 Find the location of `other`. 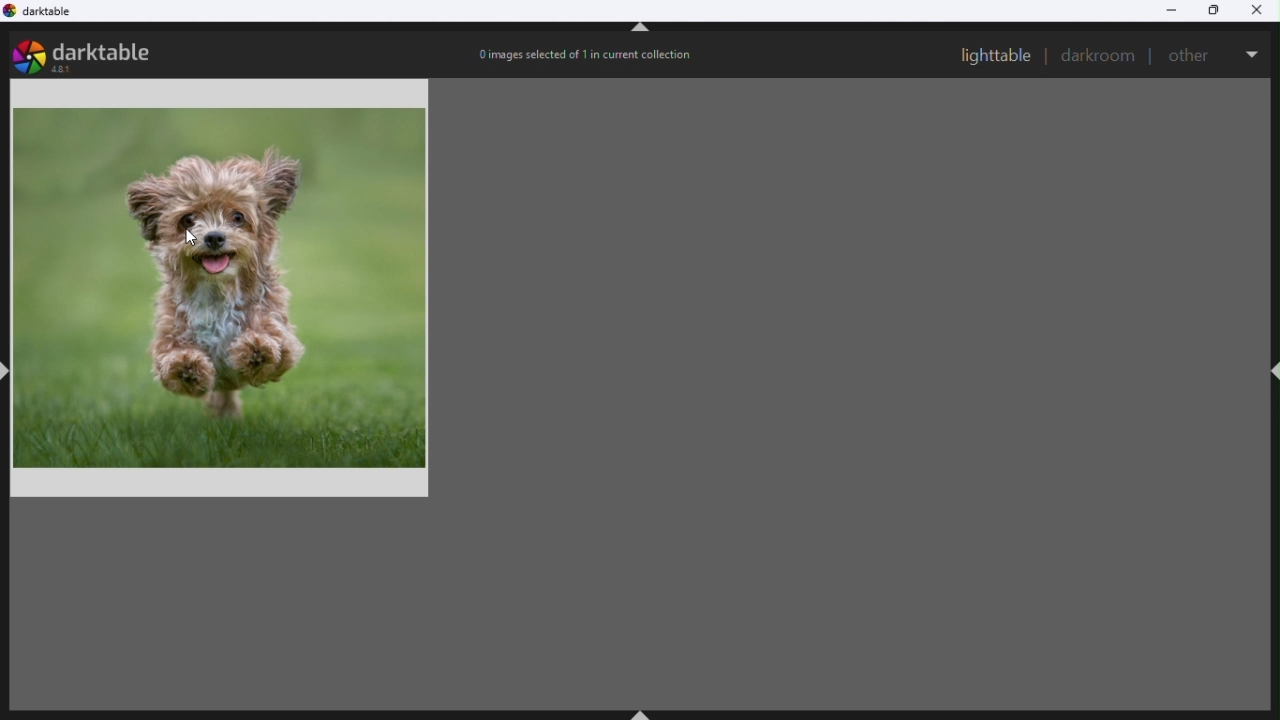

other is located at coordinates (1191, 54).